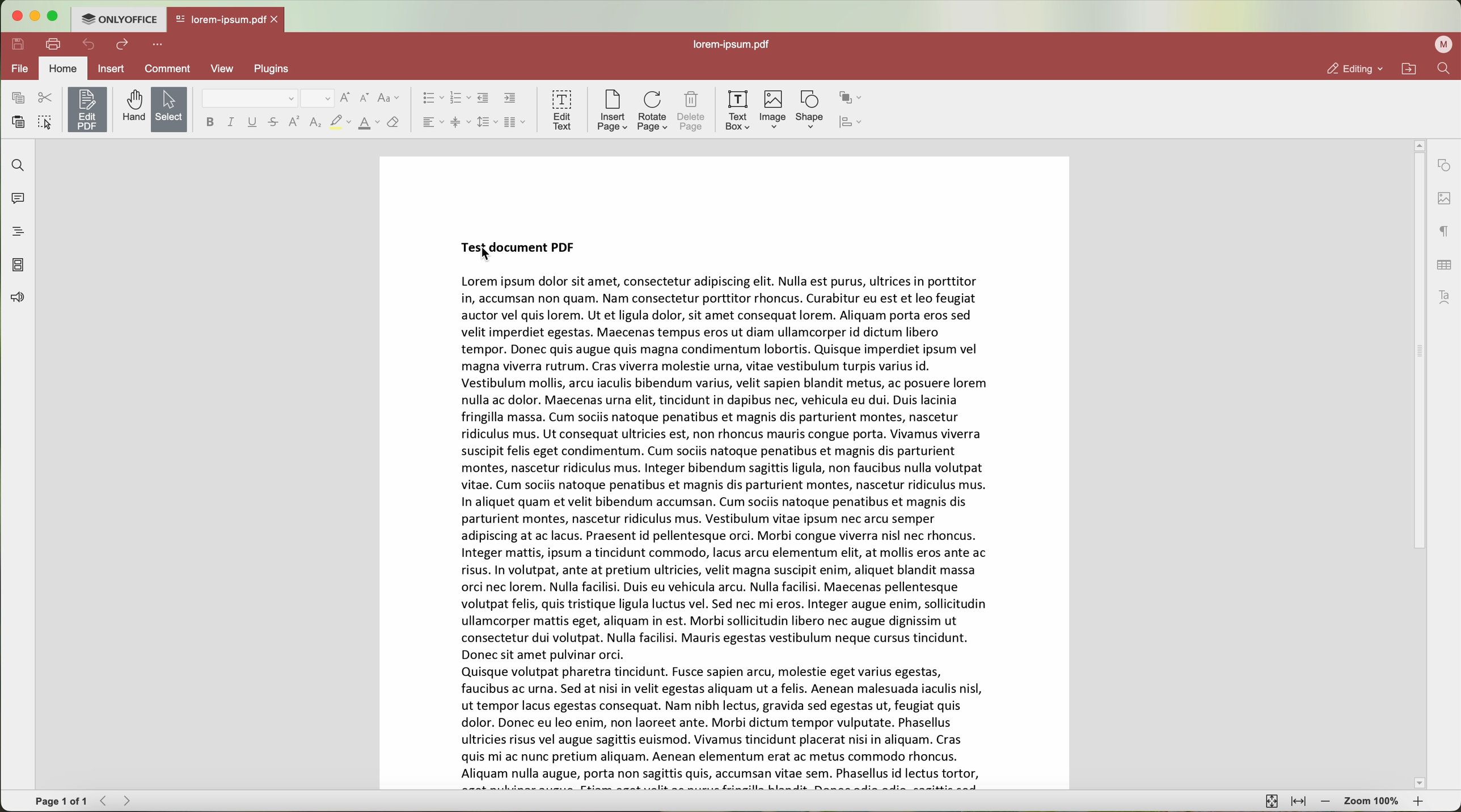 The image size is (1461, 812). I want to click on open file location, so click(1410, 69).